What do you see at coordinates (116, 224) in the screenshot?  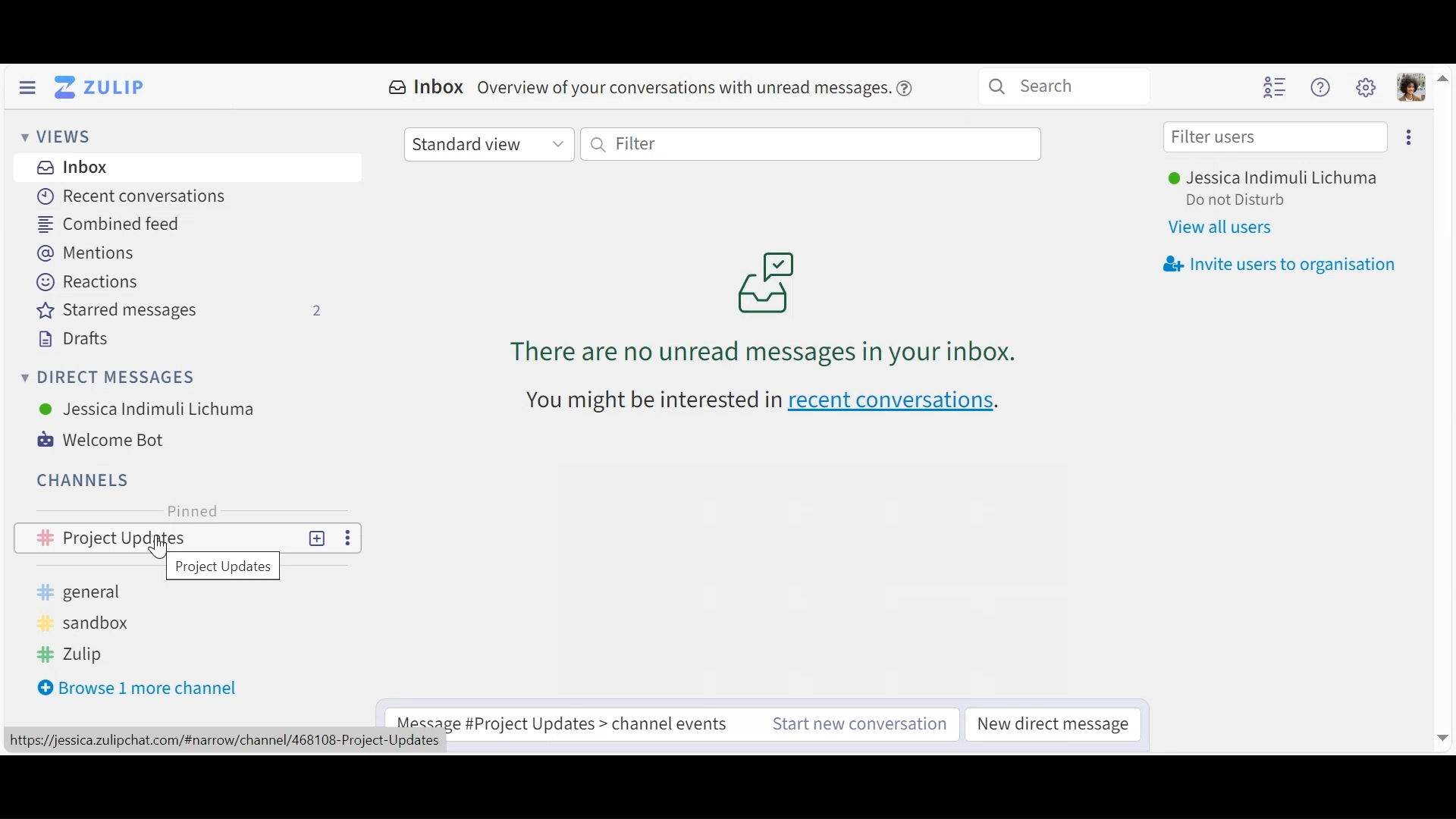 I see `Combined feed` at bounding box center [116, 224].